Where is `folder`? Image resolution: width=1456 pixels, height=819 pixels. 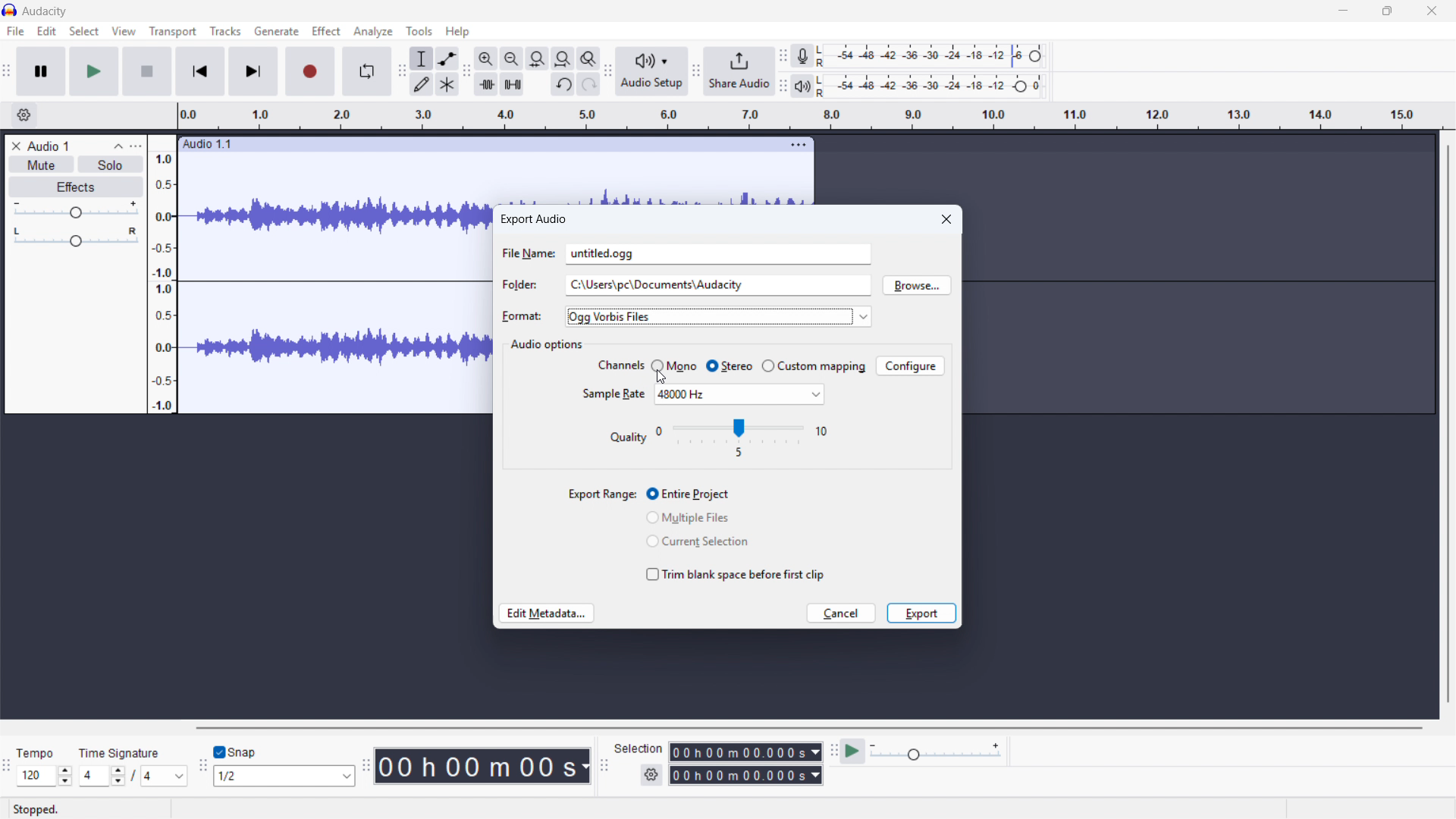
folder is located at coordinates (519, 287).